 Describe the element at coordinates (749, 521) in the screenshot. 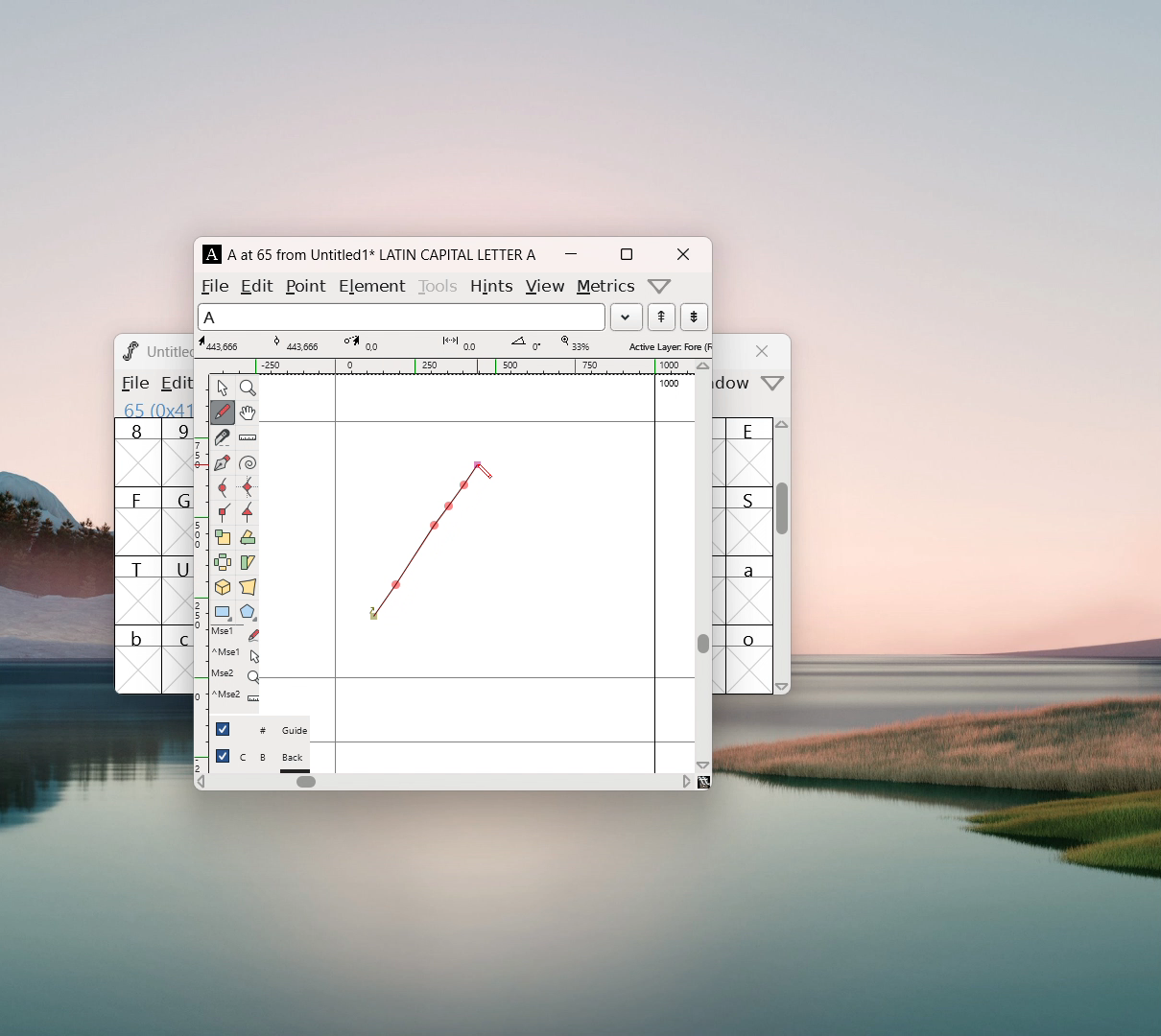

I see `S` at that location.